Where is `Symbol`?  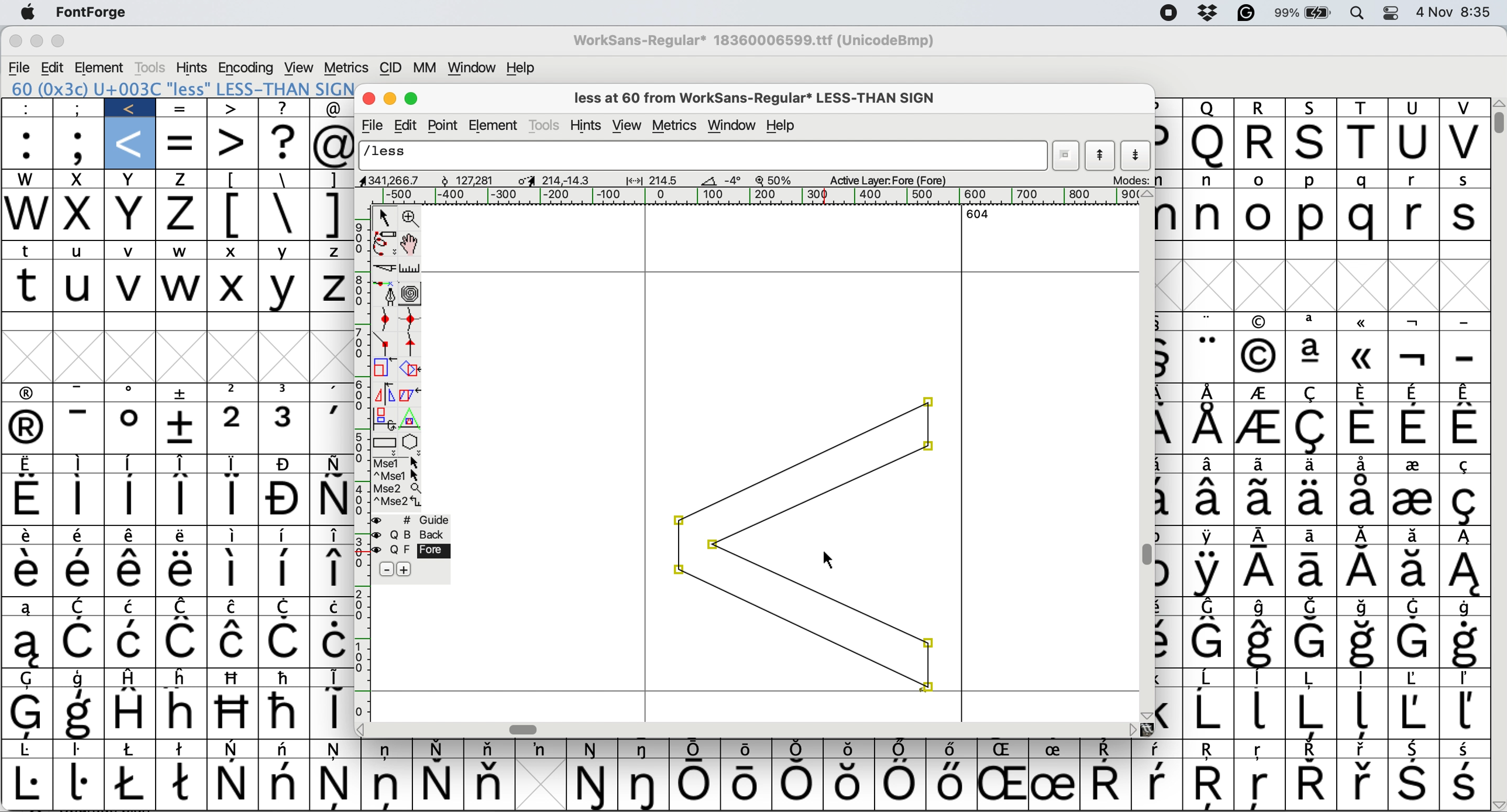 Symbol is located at coordinates (29, 713).